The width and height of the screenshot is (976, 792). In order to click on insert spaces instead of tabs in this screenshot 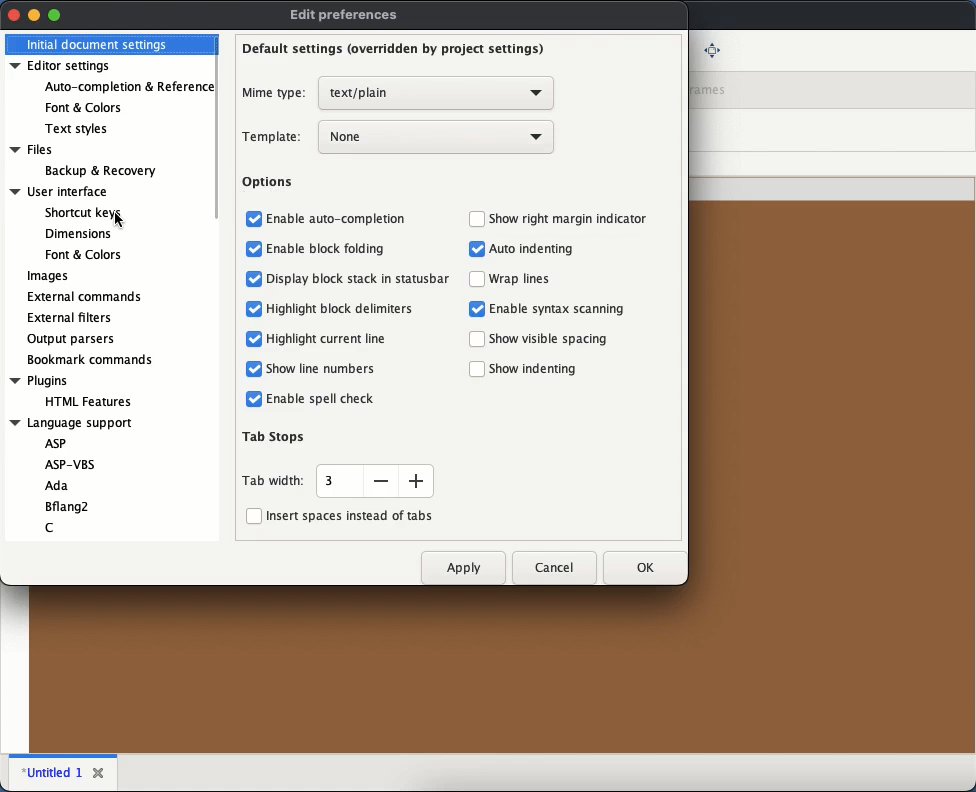, I will do `click(349, 516)`.